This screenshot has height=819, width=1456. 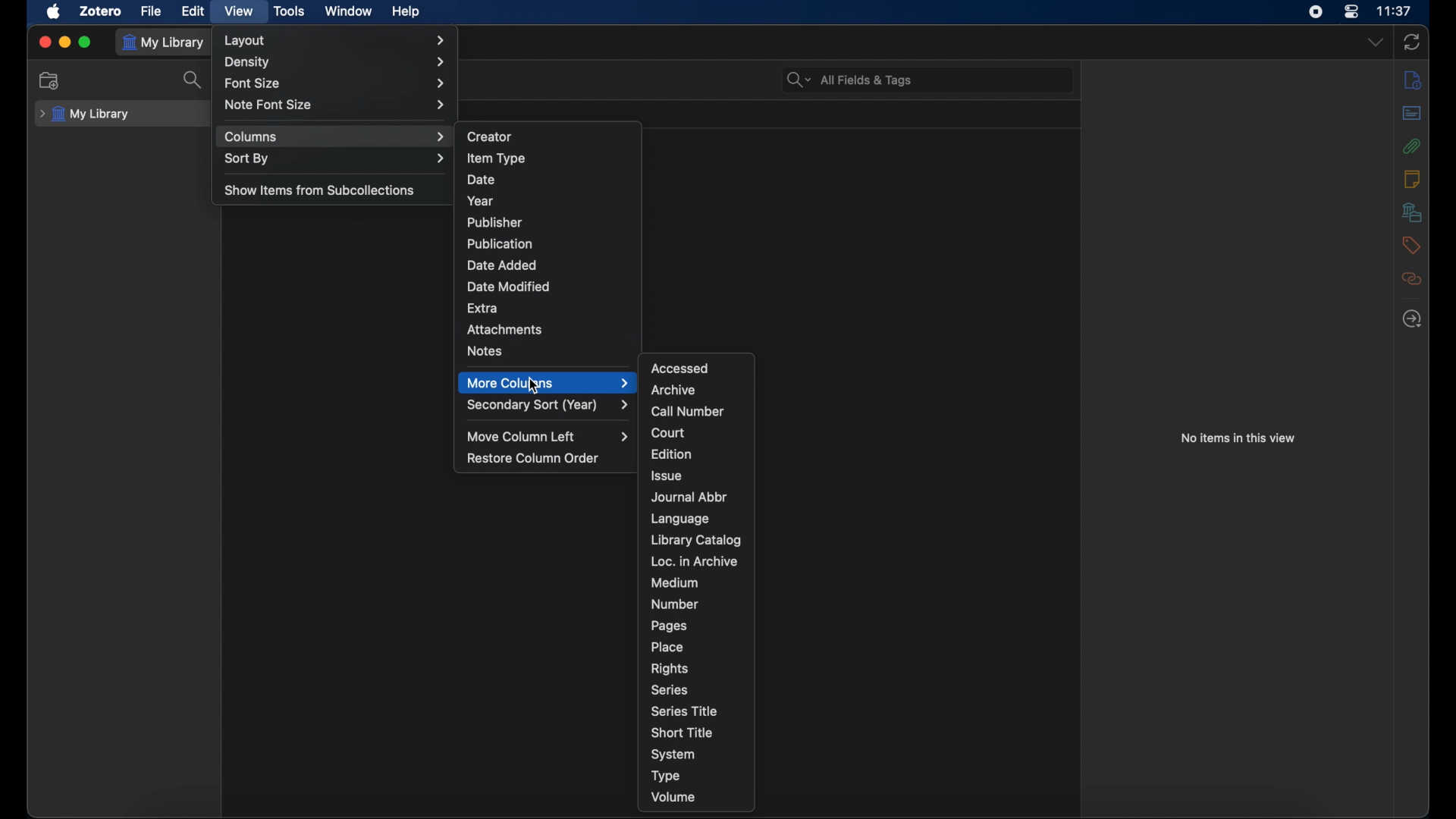 I want to click on date modified, so click(x=509, y=286).